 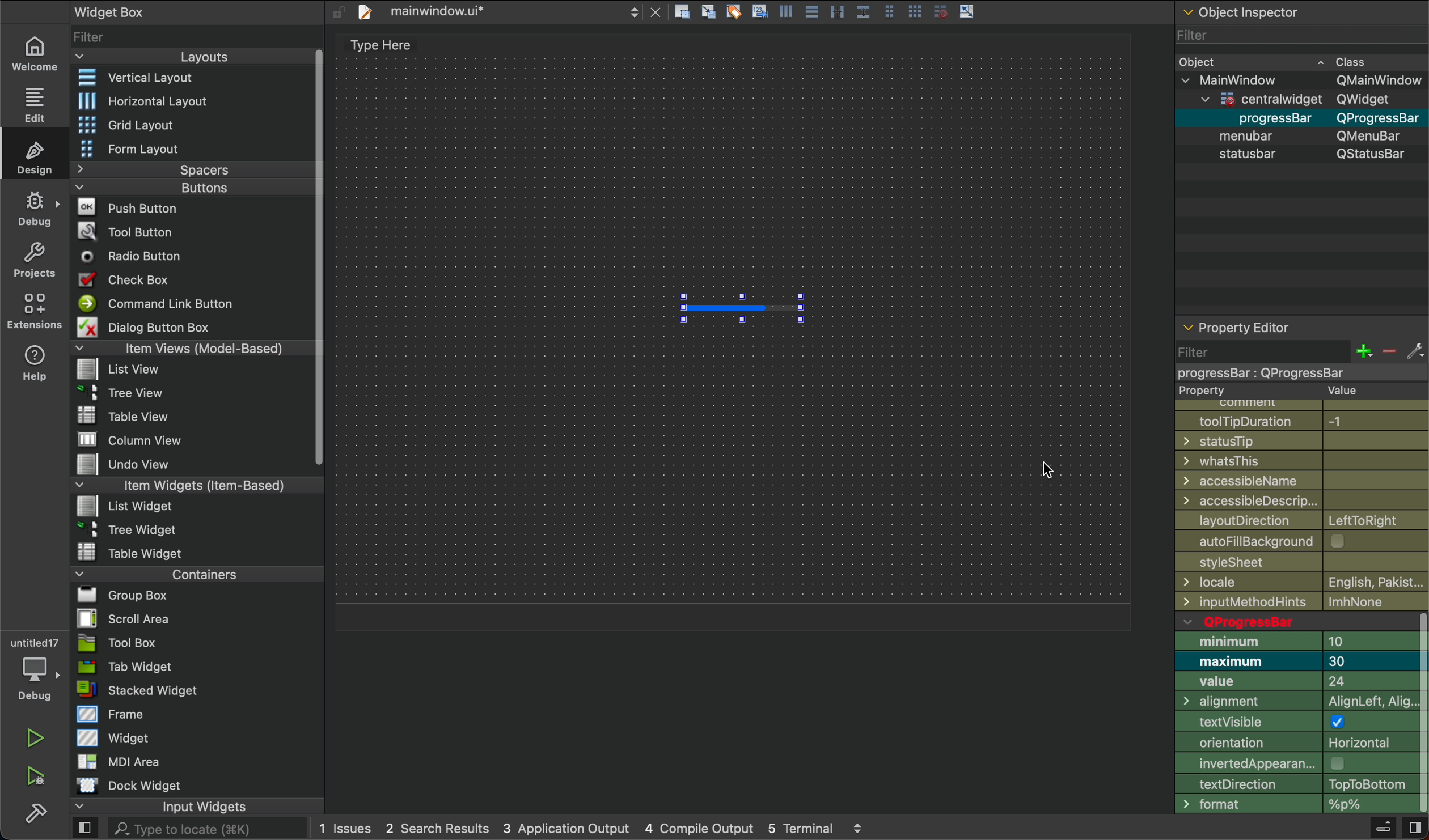 What do you see at coordinates (159, 807) in the screenshot?
I see `Input Widget` at bounding box center [159, 807].